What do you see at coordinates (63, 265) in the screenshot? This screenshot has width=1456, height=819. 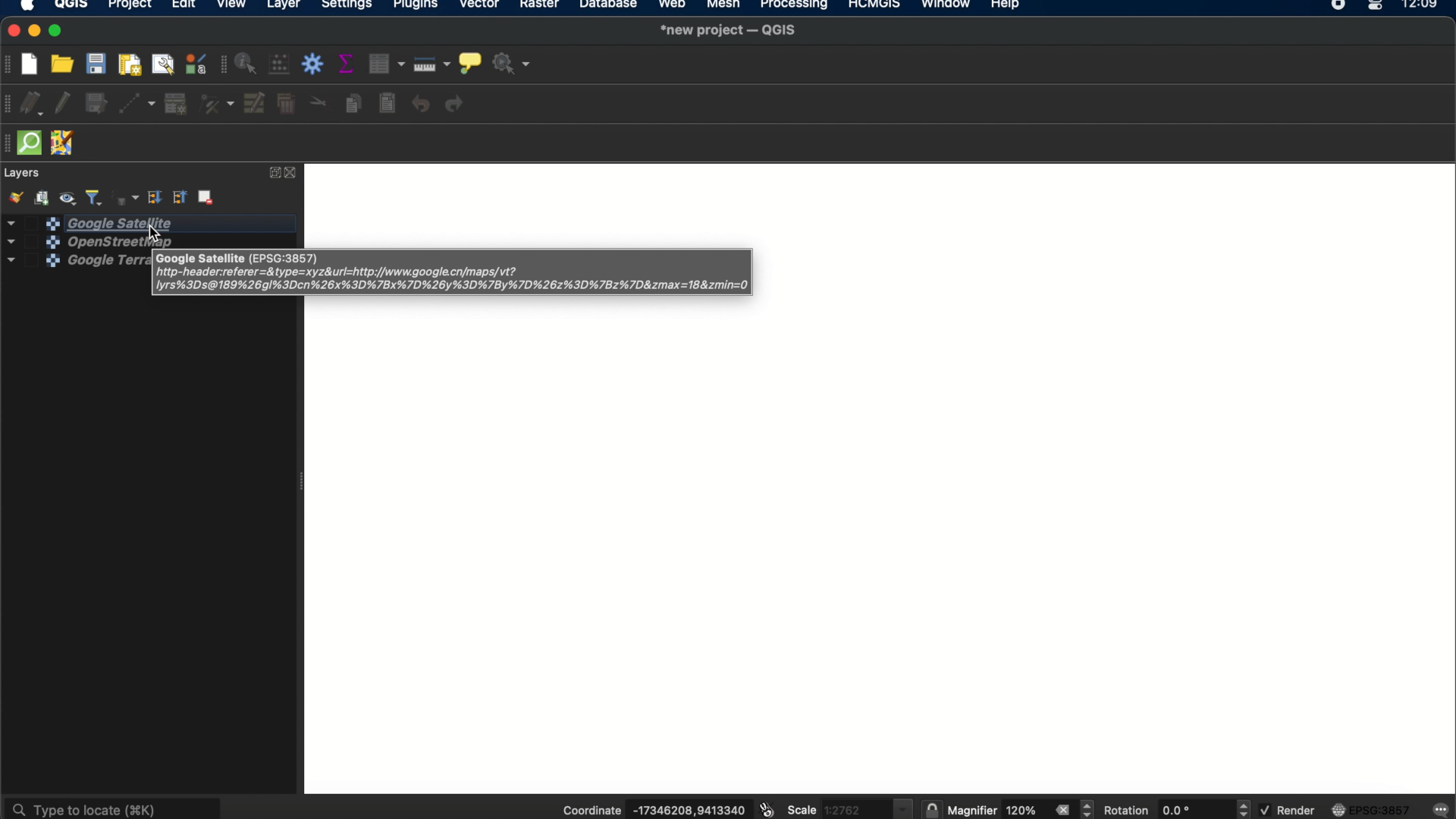 I see `google terrain` at bounding box center [63, 265].